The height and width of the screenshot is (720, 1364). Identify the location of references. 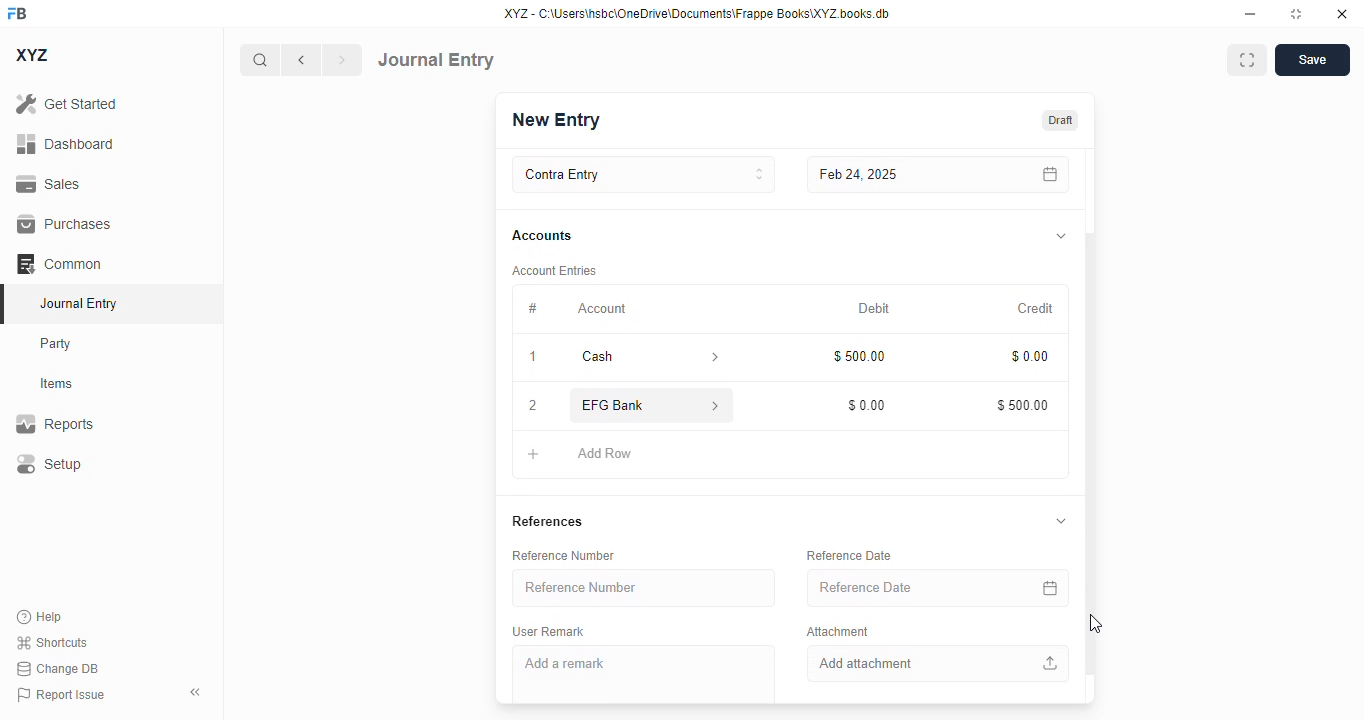
(549, 523).